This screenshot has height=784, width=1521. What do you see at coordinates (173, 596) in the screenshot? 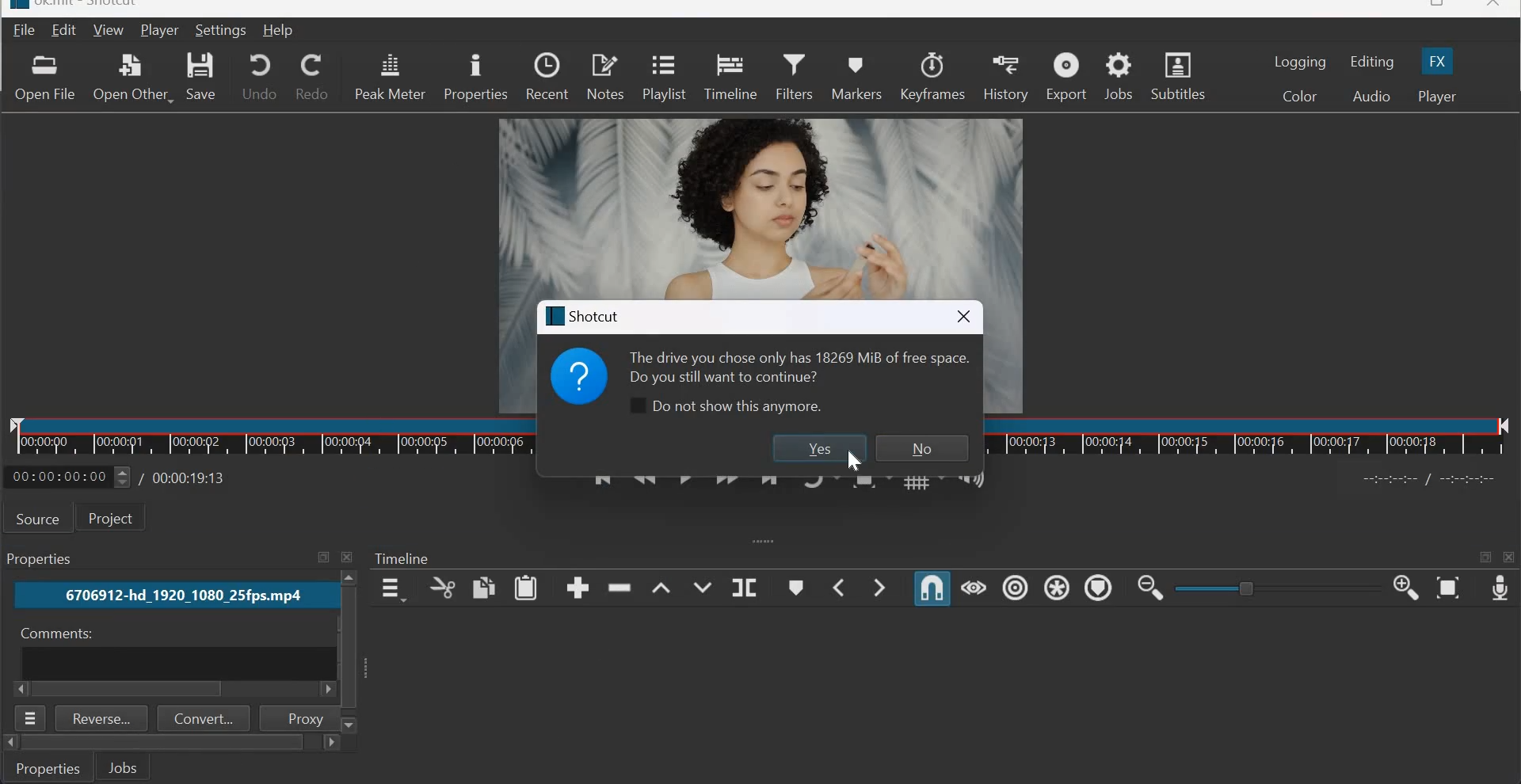
I see `mp4 file` at bounding box center [173, 596].